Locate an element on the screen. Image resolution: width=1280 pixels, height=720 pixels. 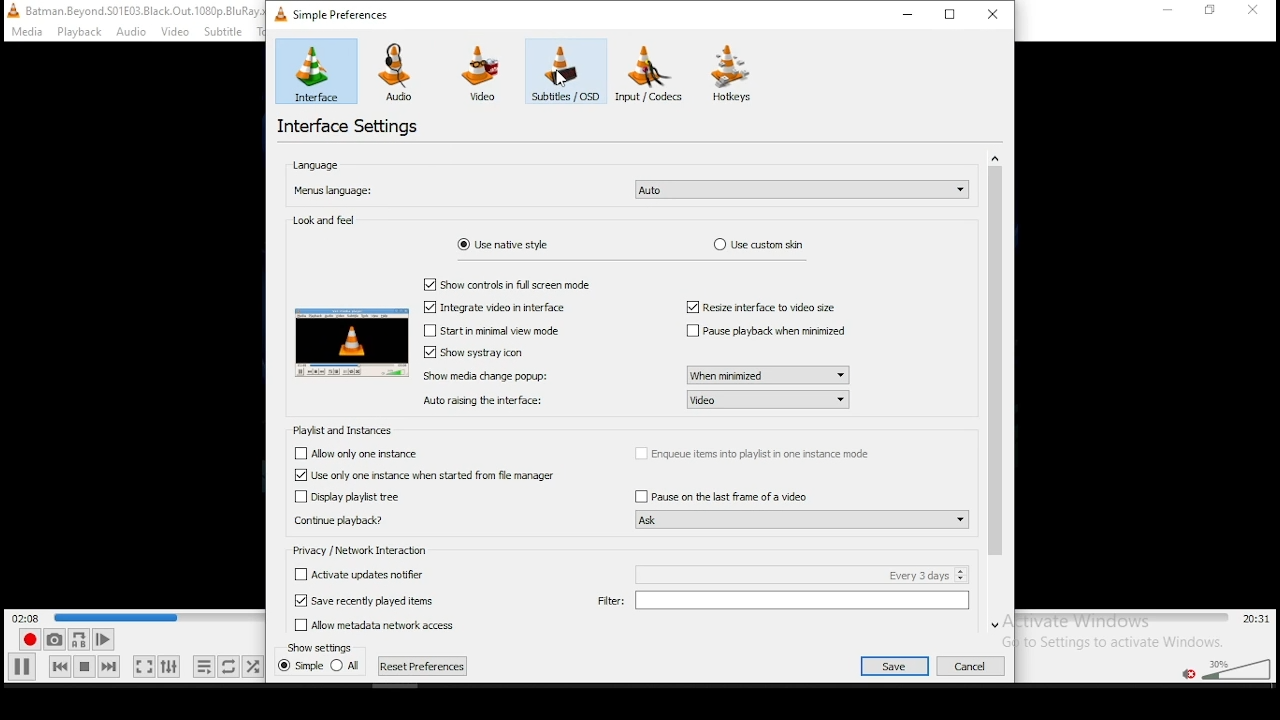
next track in playlist. Skips forward when held is located at coordinates (108, 666).